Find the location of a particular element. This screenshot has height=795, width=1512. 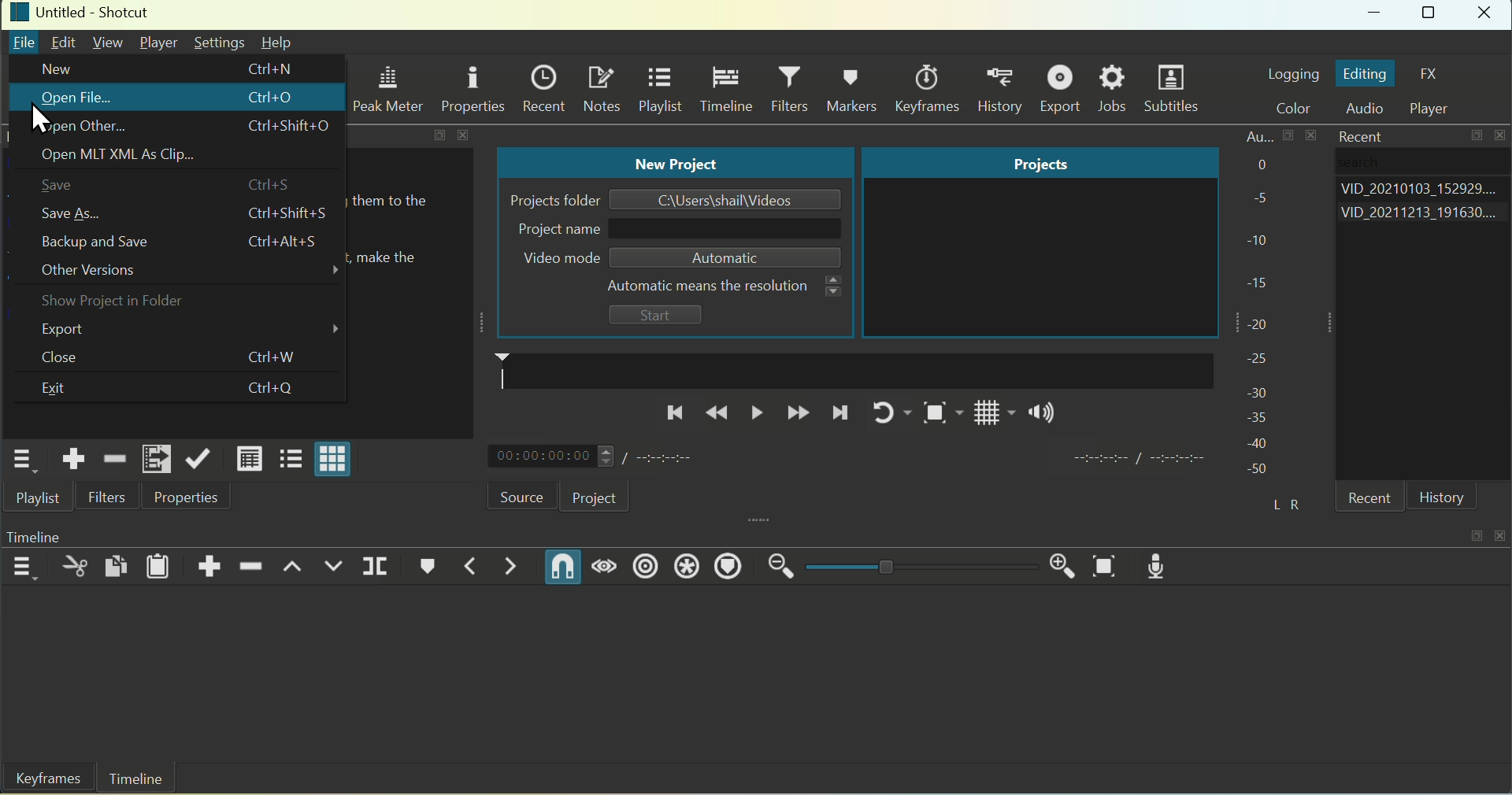

View as icon is located at coordinates (335, 461).